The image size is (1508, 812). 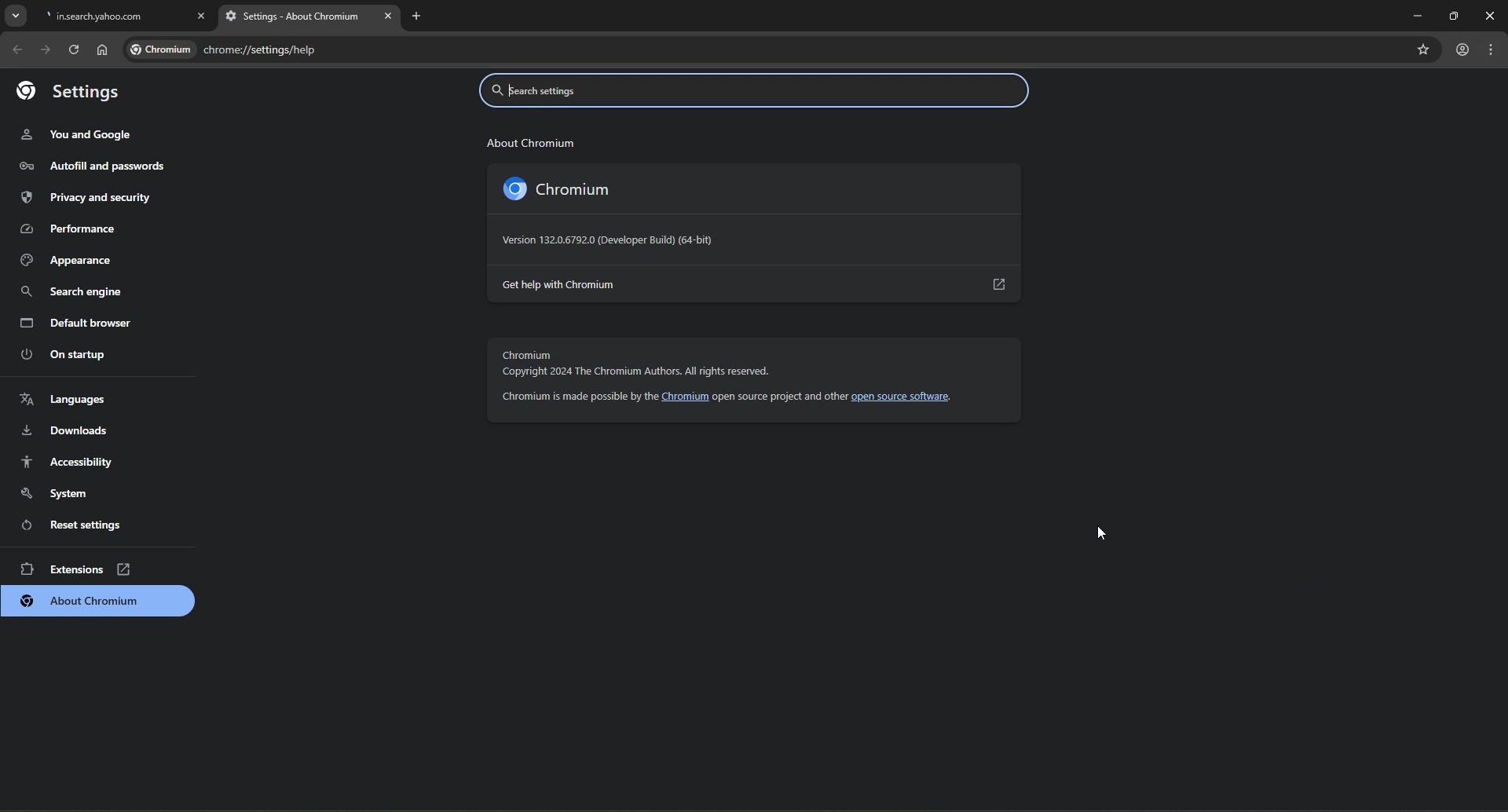 What do you see at coordinates (757, 93) in the screenshot?
I see `Search bar` at bounding box center [757, 93].